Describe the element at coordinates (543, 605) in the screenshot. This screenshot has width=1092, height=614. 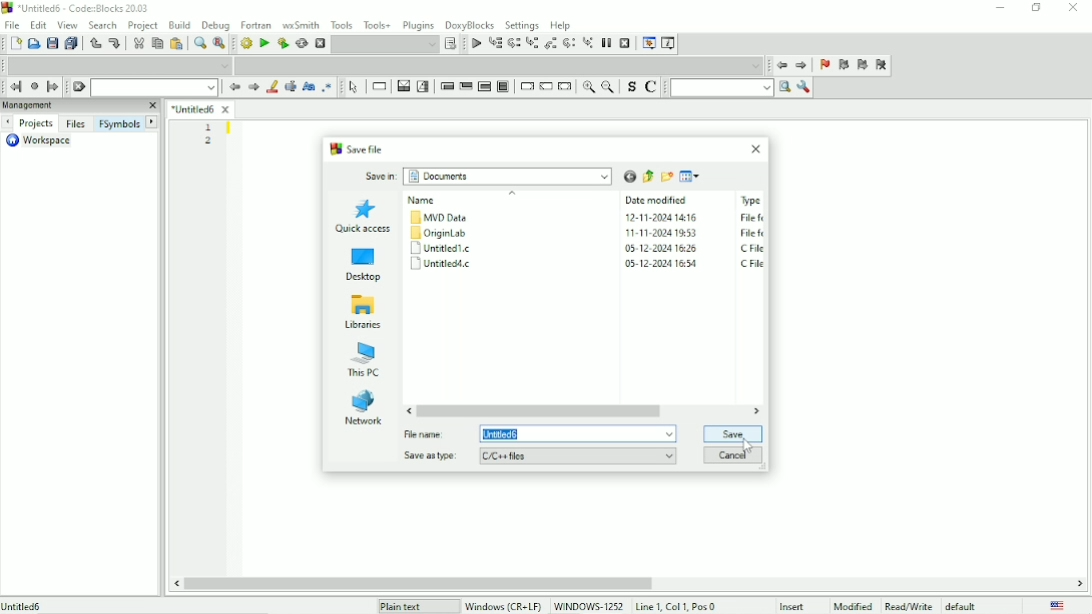
I see `Windows` at that location.